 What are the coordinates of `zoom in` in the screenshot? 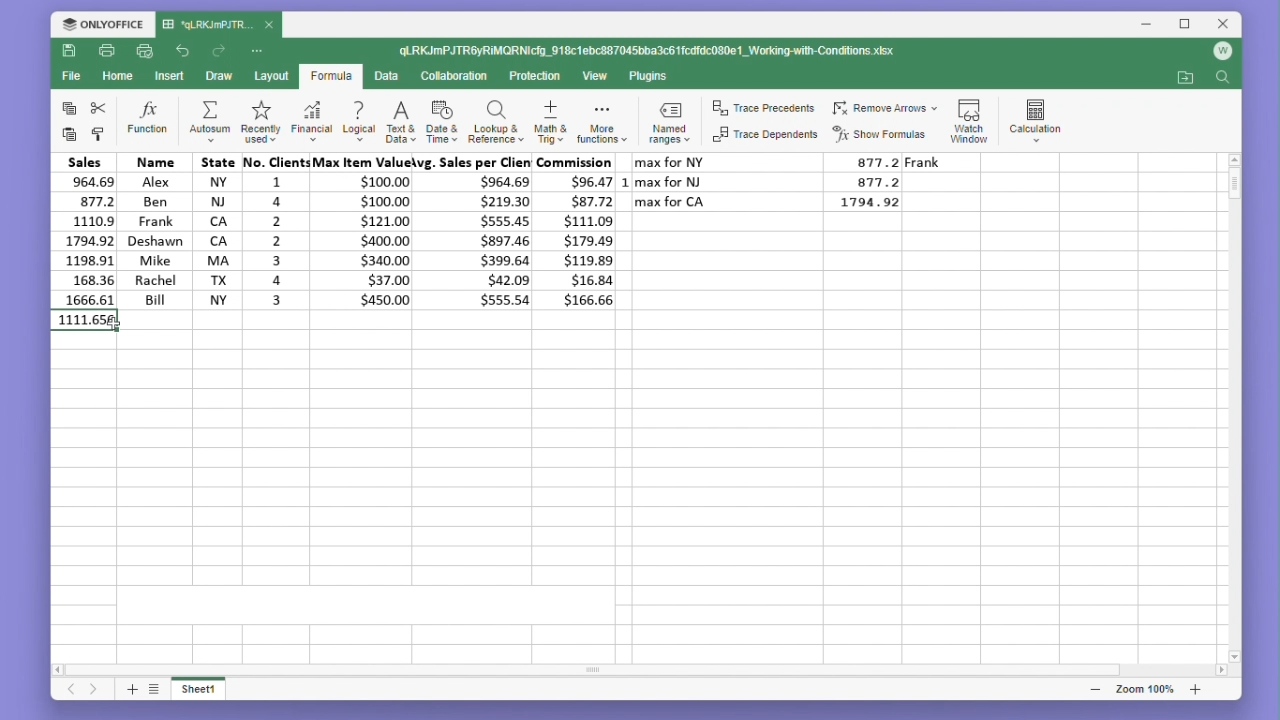 It's located at (1195, 689).